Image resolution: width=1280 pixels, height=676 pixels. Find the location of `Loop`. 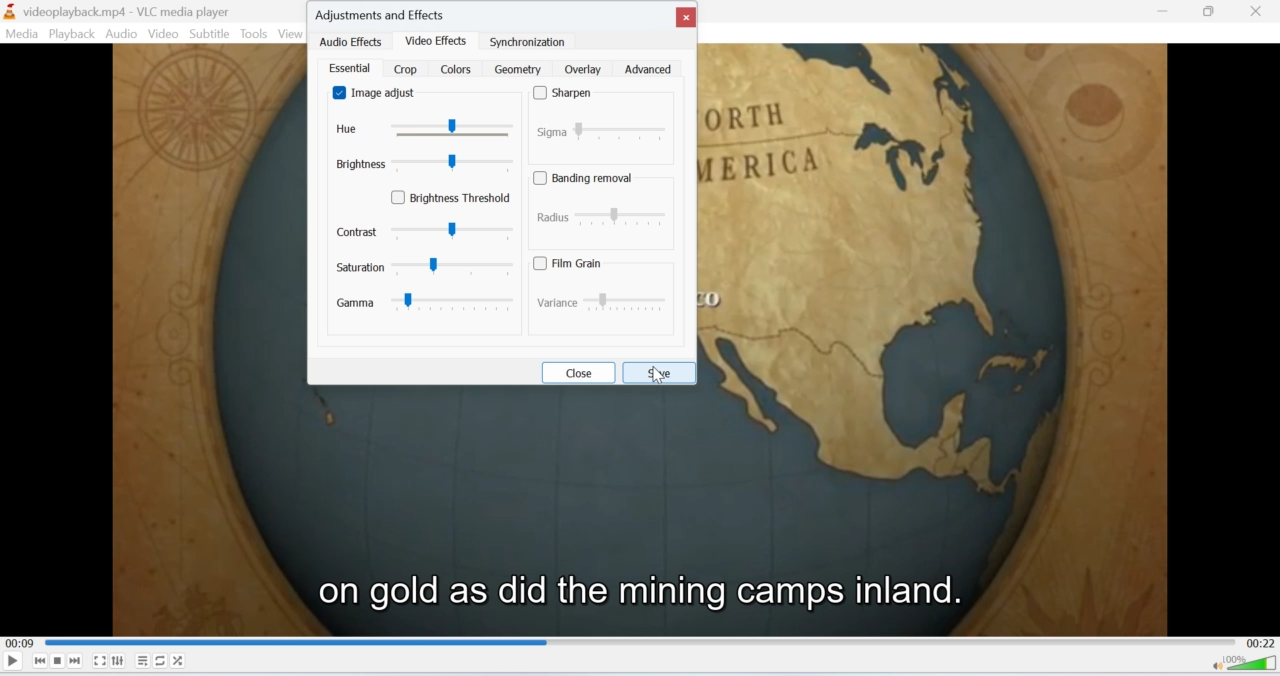

Loop is located at coordinates (161, 660).